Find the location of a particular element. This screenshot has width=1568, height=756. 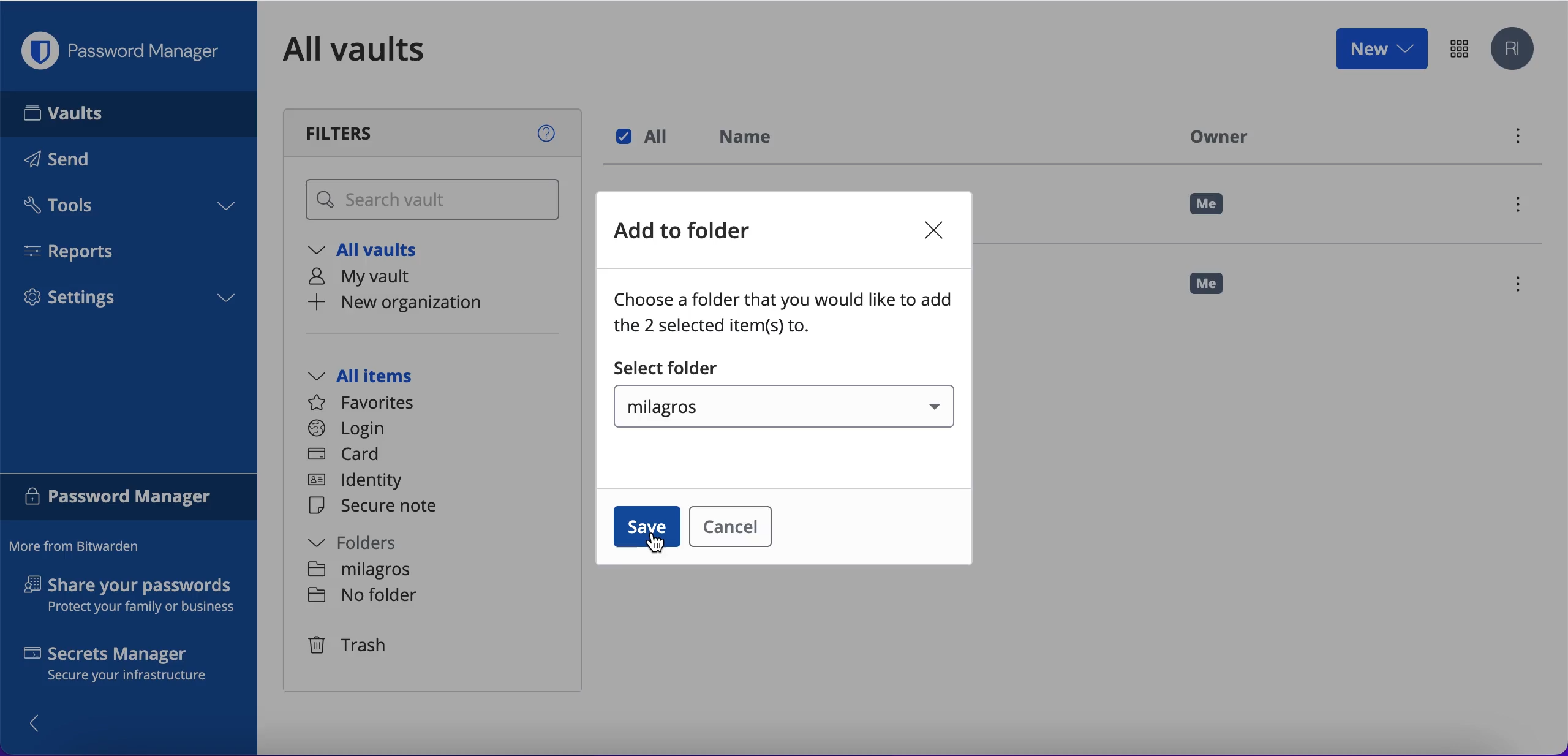

select folder is located at coordinates (668, 369).